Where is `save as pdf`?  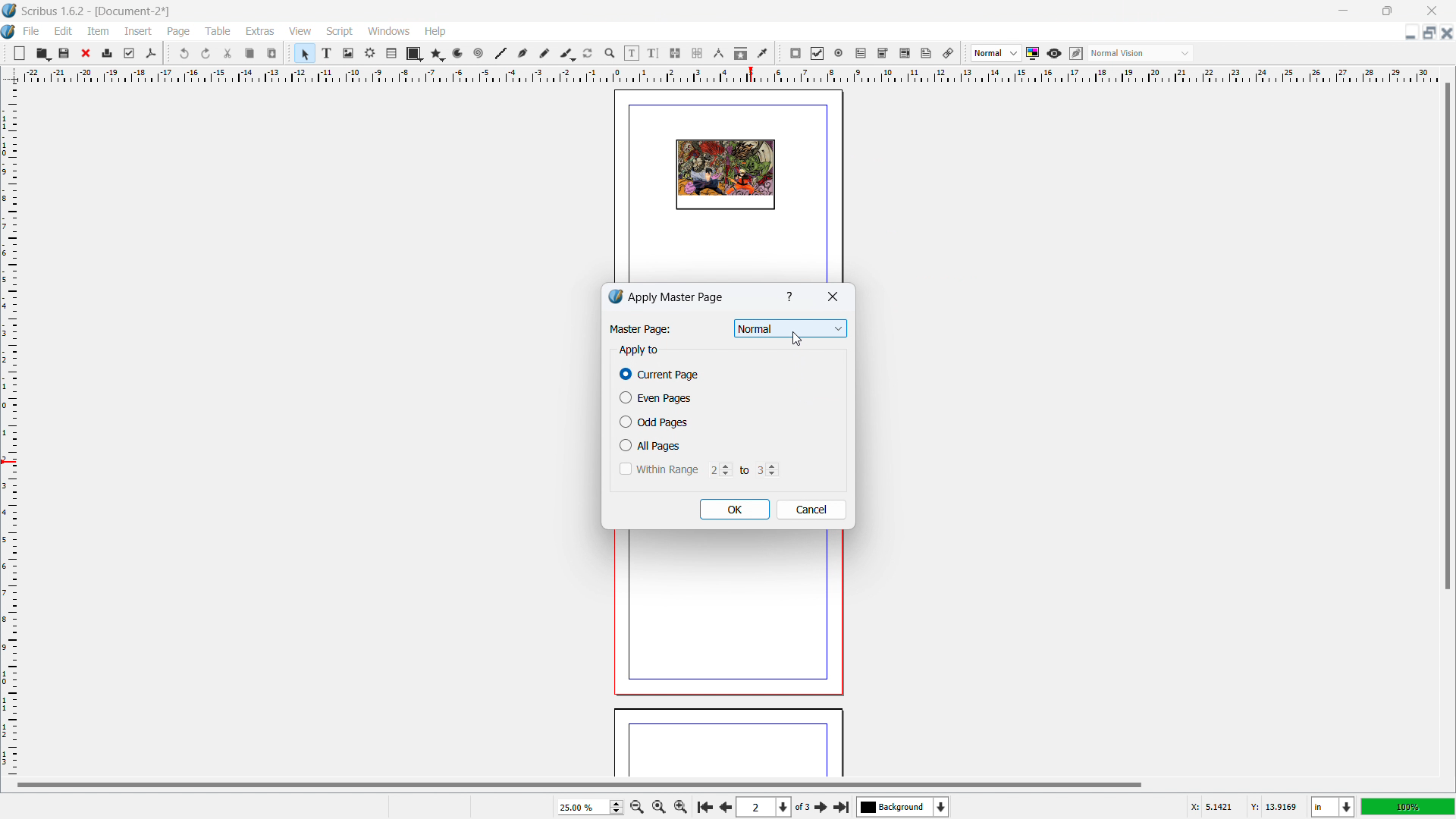
save as pdf is located at coordinates (150, 54).